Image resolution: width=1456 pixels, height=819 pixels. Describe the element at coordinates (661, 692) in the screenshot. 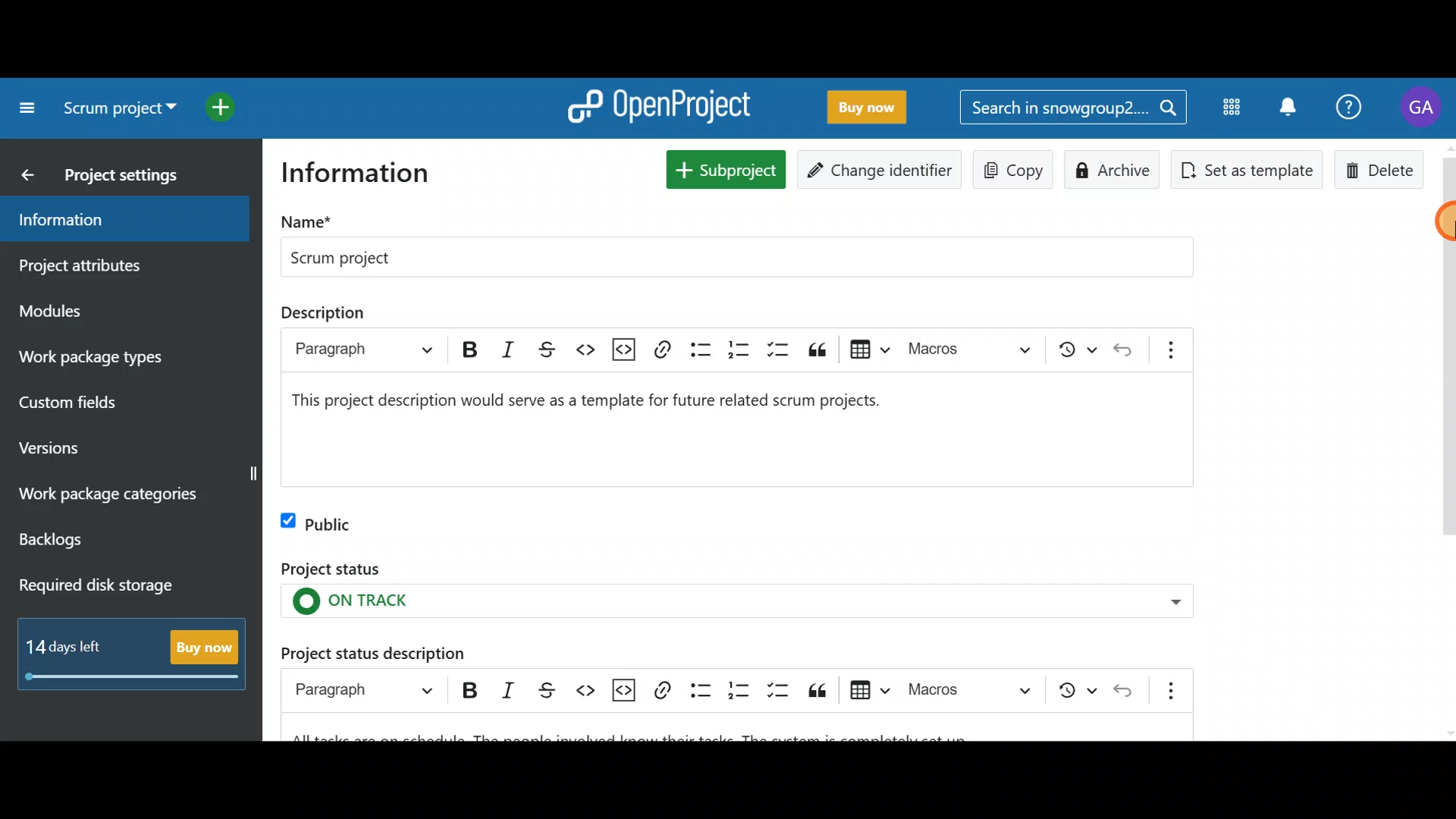

I see `Link` at that location.